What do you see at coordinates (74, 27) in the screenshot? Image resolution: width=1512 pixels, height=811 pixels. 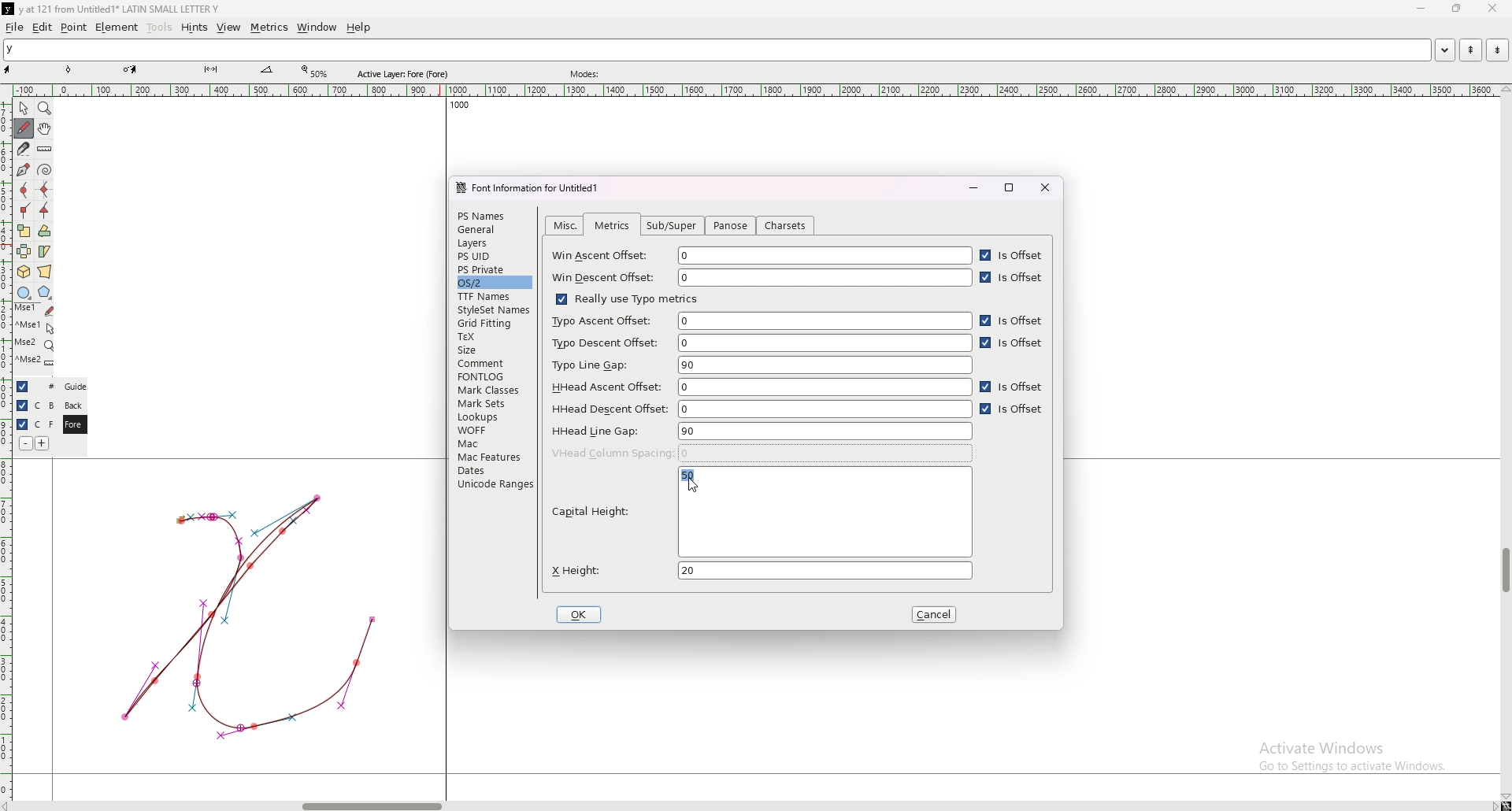 I see `point` at bounding box center [74, 27].